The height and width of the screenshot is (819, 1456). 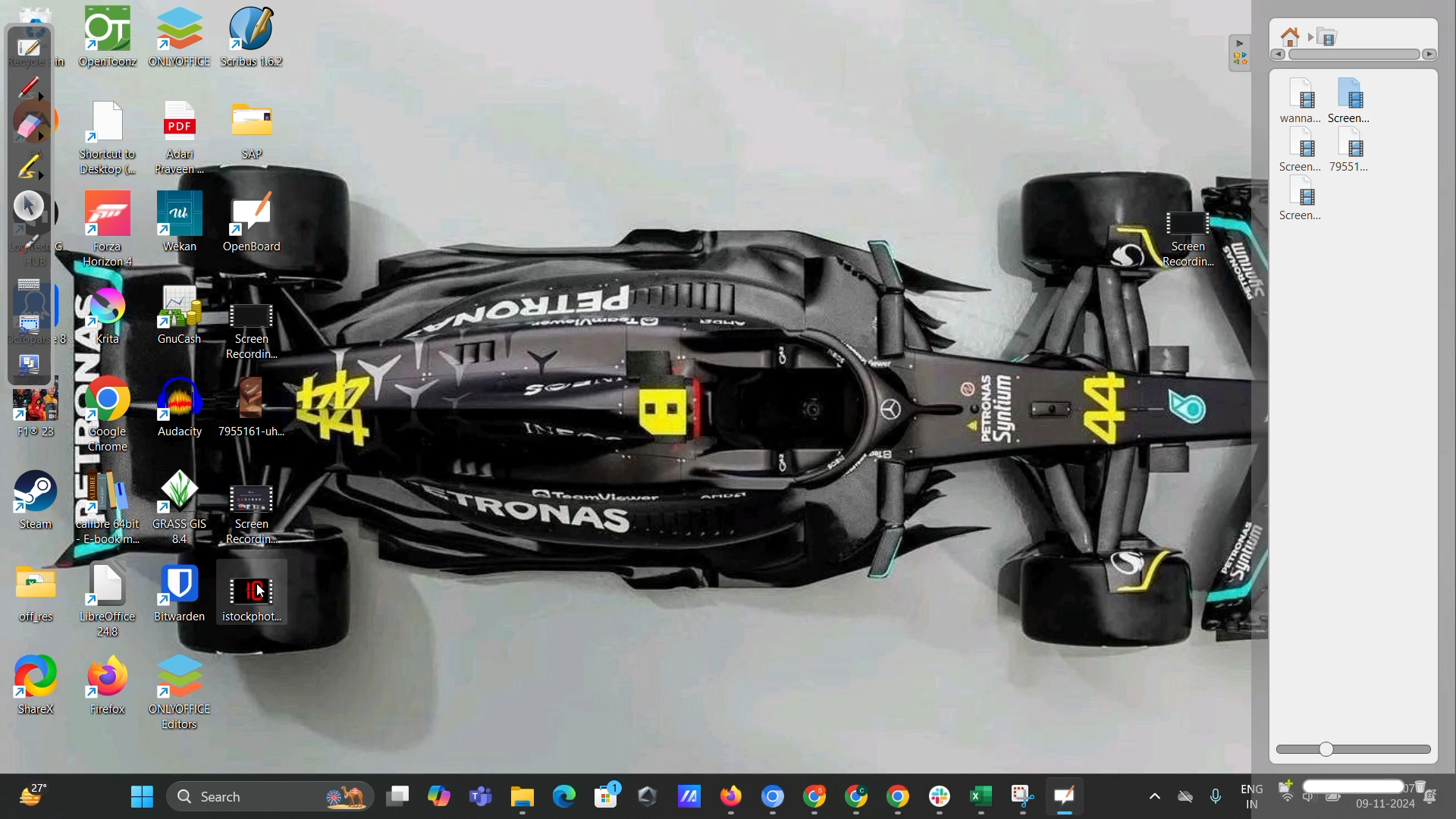 What do you see at coordinates (1284, 788) in the screenshot?
I see `create new folder` at bounding box center [1284, 788].